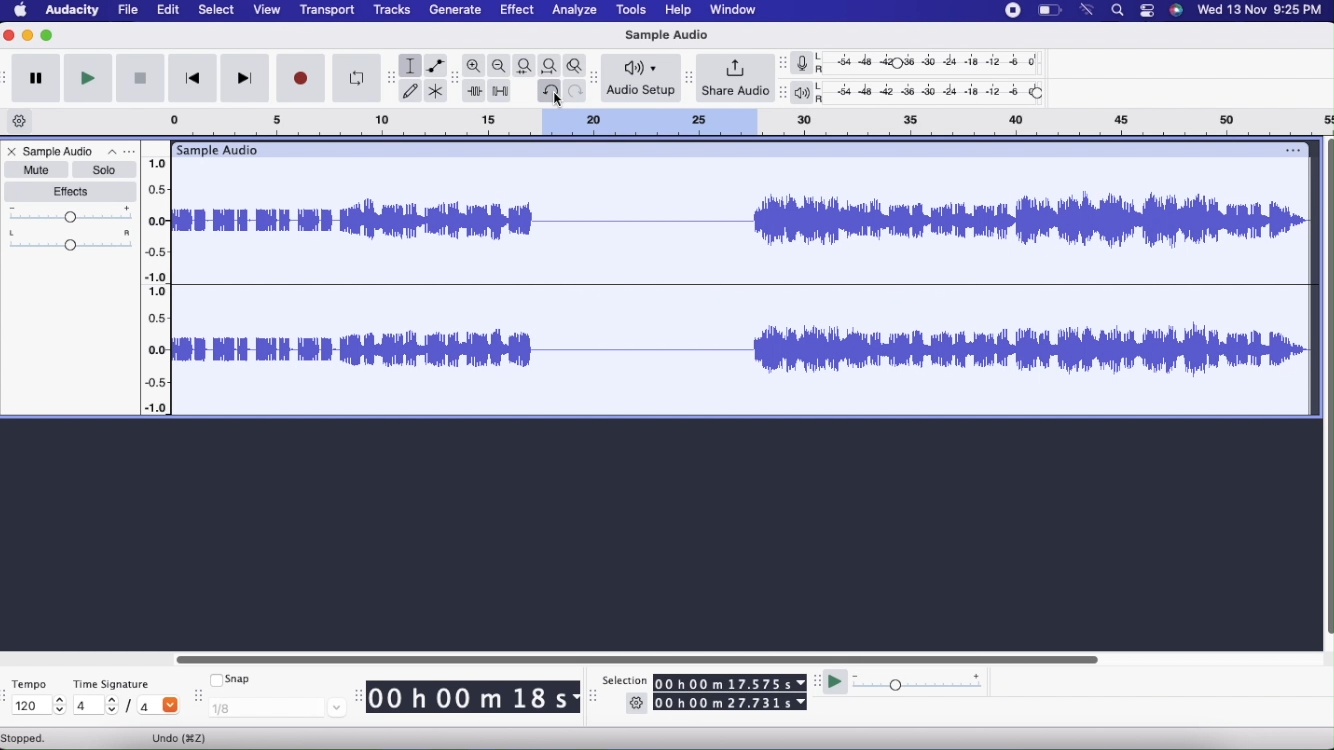 This screenshot has width=1334, height=750. I want to click on cursor, so click(557, 100).